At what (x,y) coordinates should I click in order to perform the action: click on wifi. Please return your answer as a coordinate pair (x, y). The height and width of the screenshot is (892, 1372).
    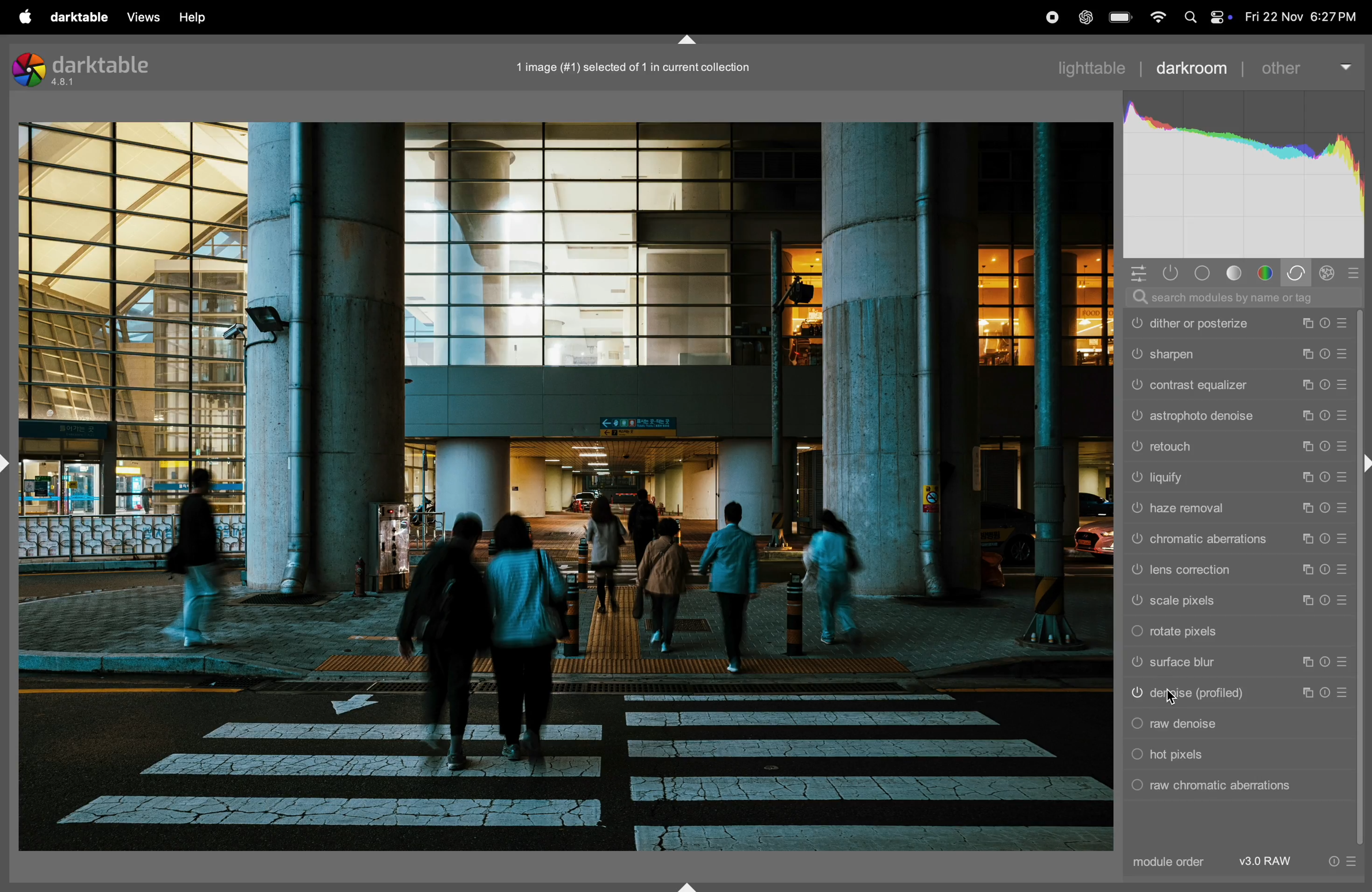
    Looking at the image, I should click on (1157, 18).